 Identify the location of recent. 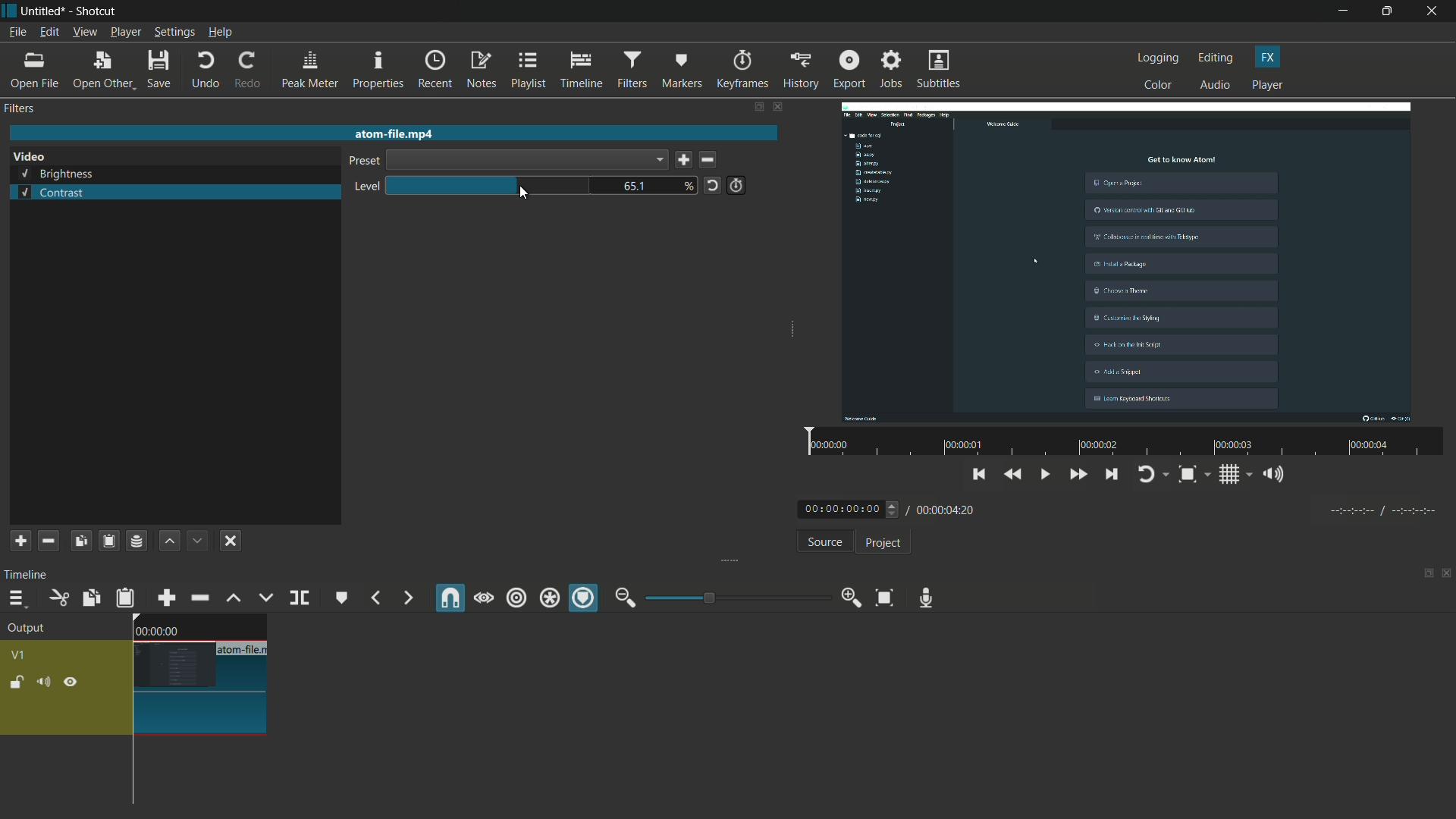
(437, 69).